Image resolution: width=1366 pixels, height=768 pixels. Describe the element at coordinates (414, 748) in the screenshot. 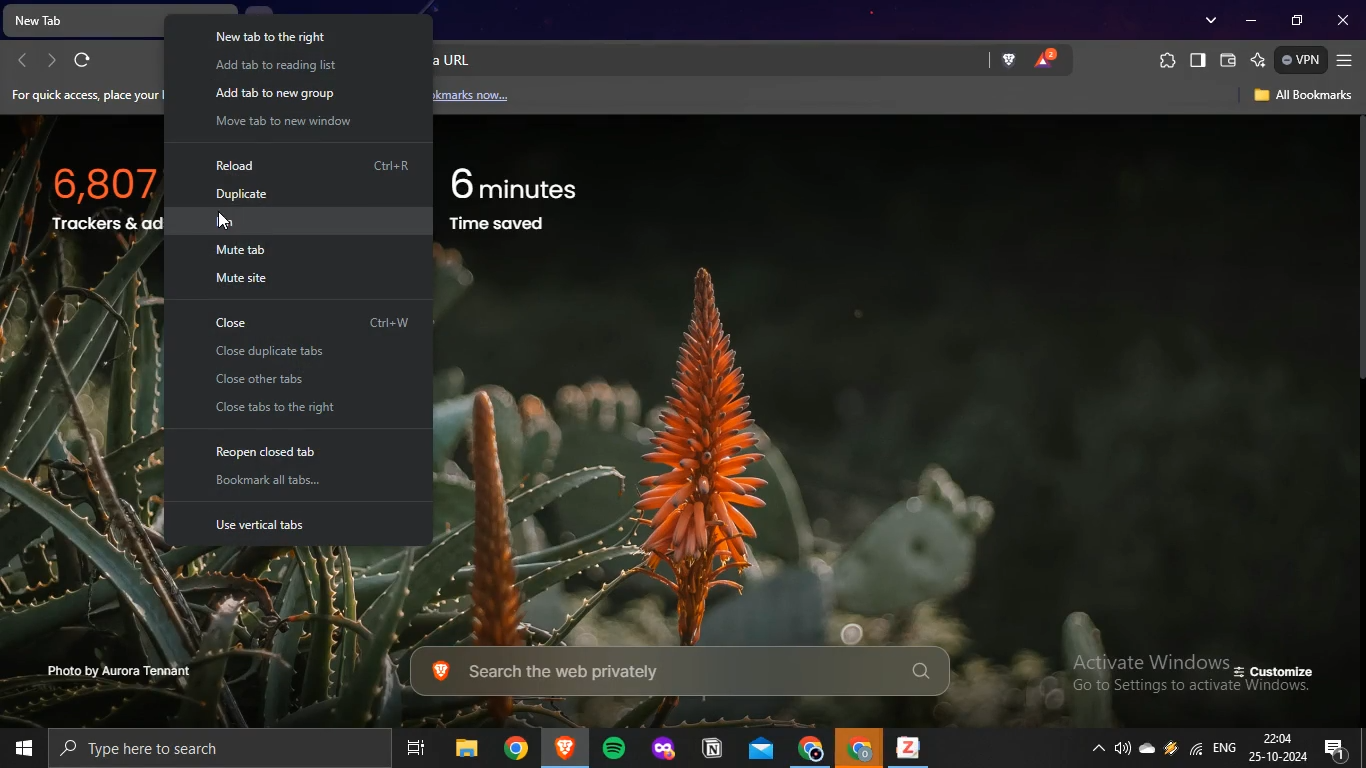

I see `task view ` at that location.